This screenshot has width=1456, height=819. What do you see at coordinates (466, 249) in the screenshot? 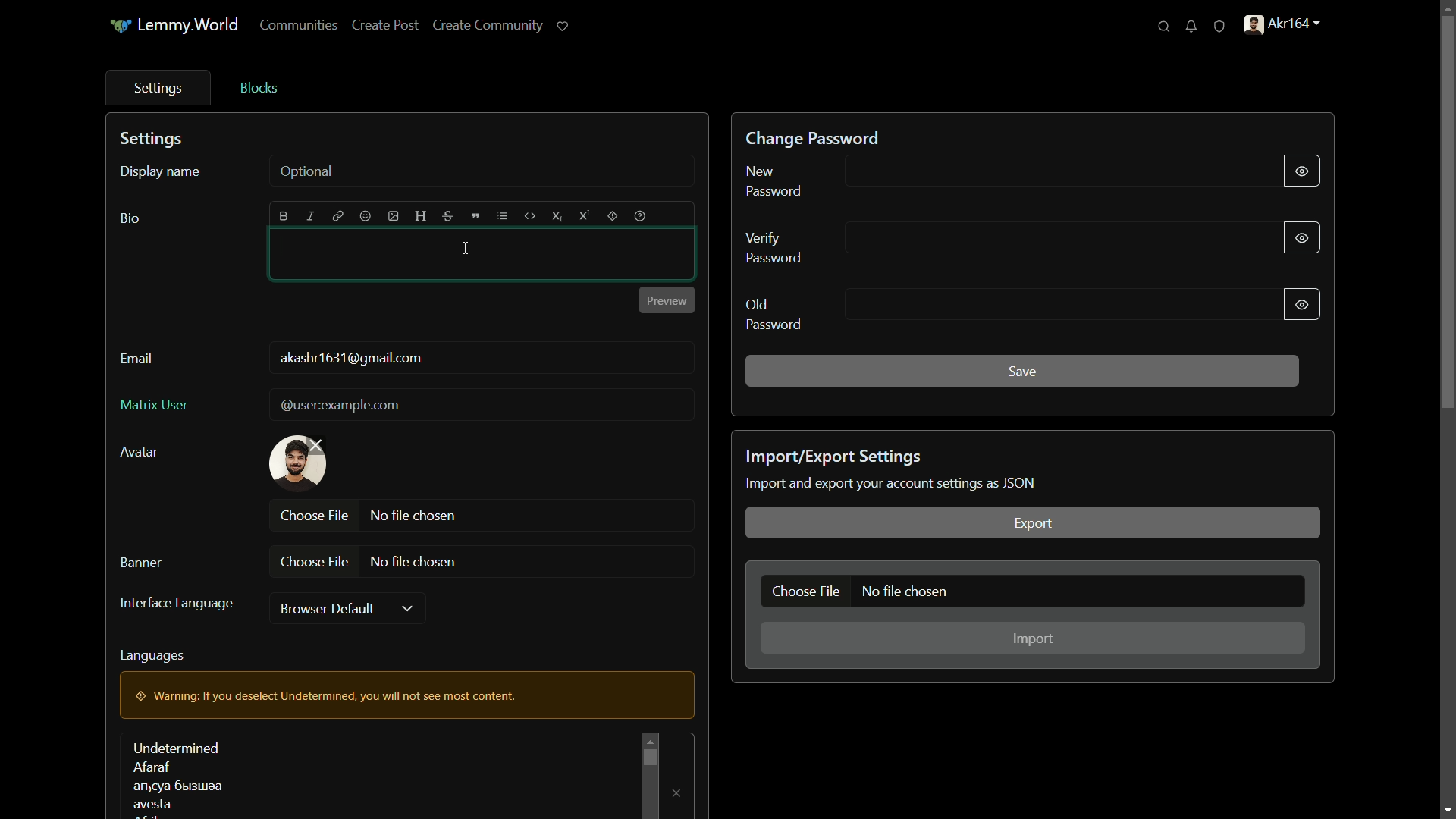
I see `cursor` at bounding box center [466, 249].